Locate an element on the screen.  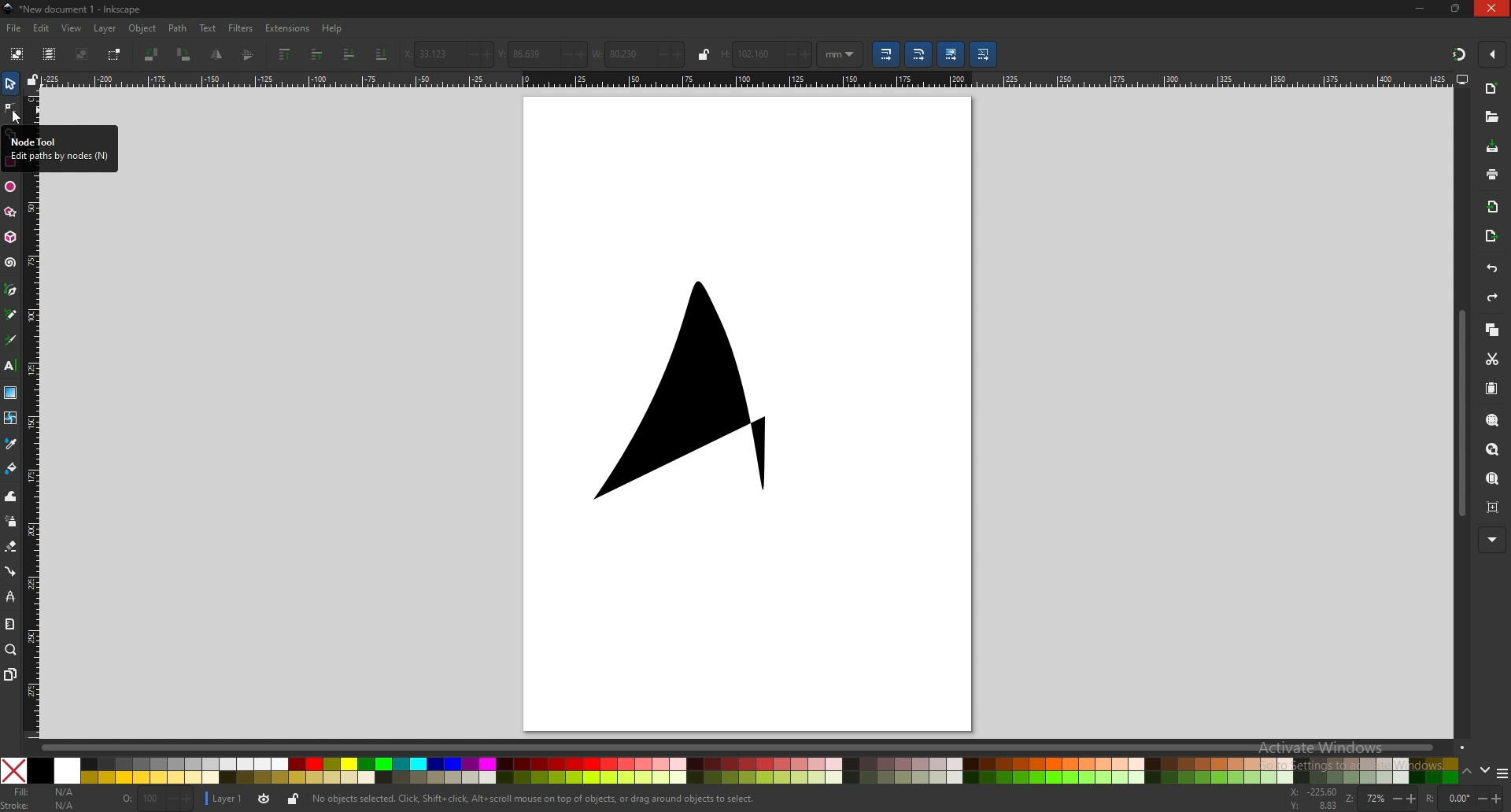
export is located at coordinates (1490, 238).